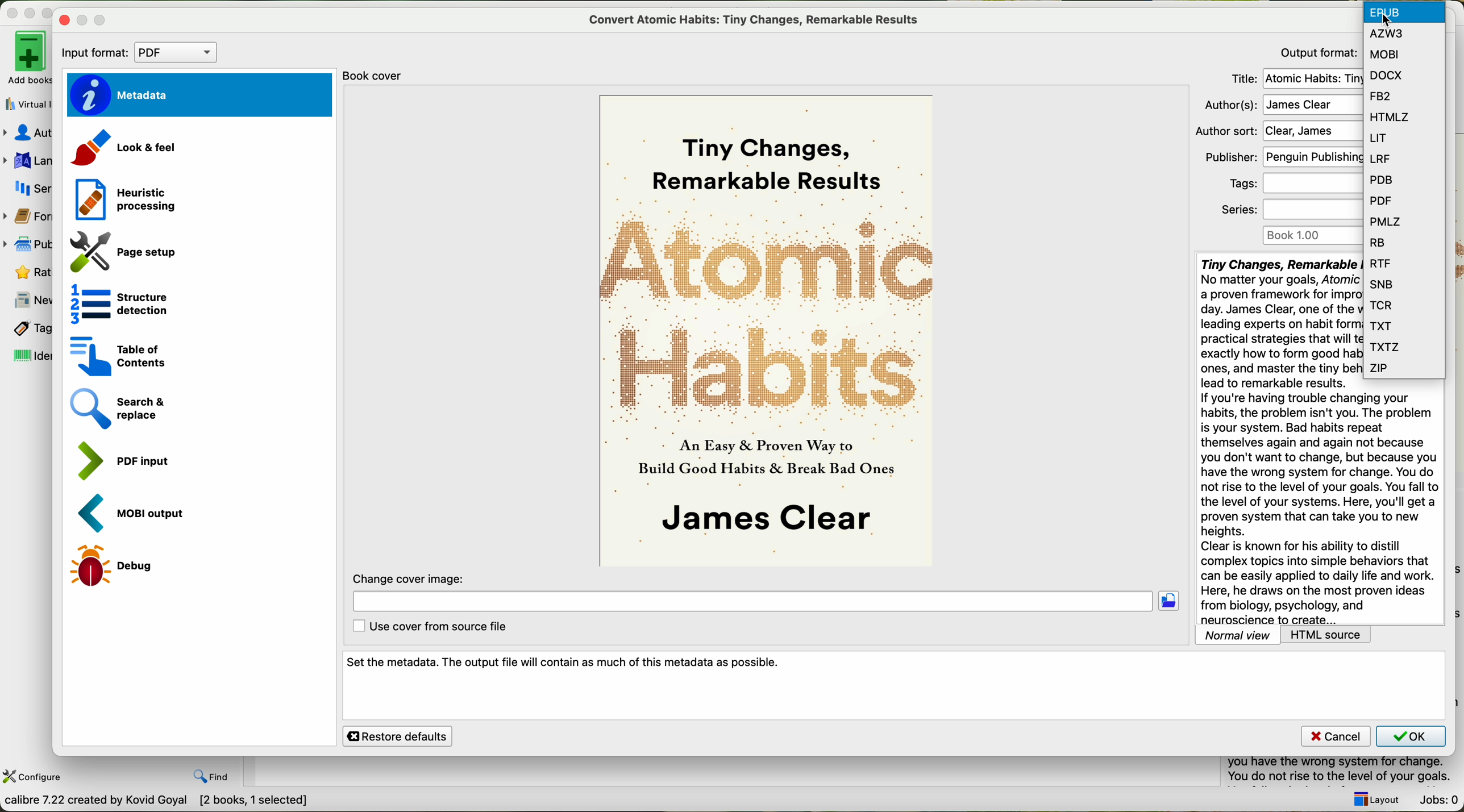 The height and width of the screenshot is (812, 1464). Describe the element at coordinates (379, 76) in the screenshot. I see `book cover` at that location.